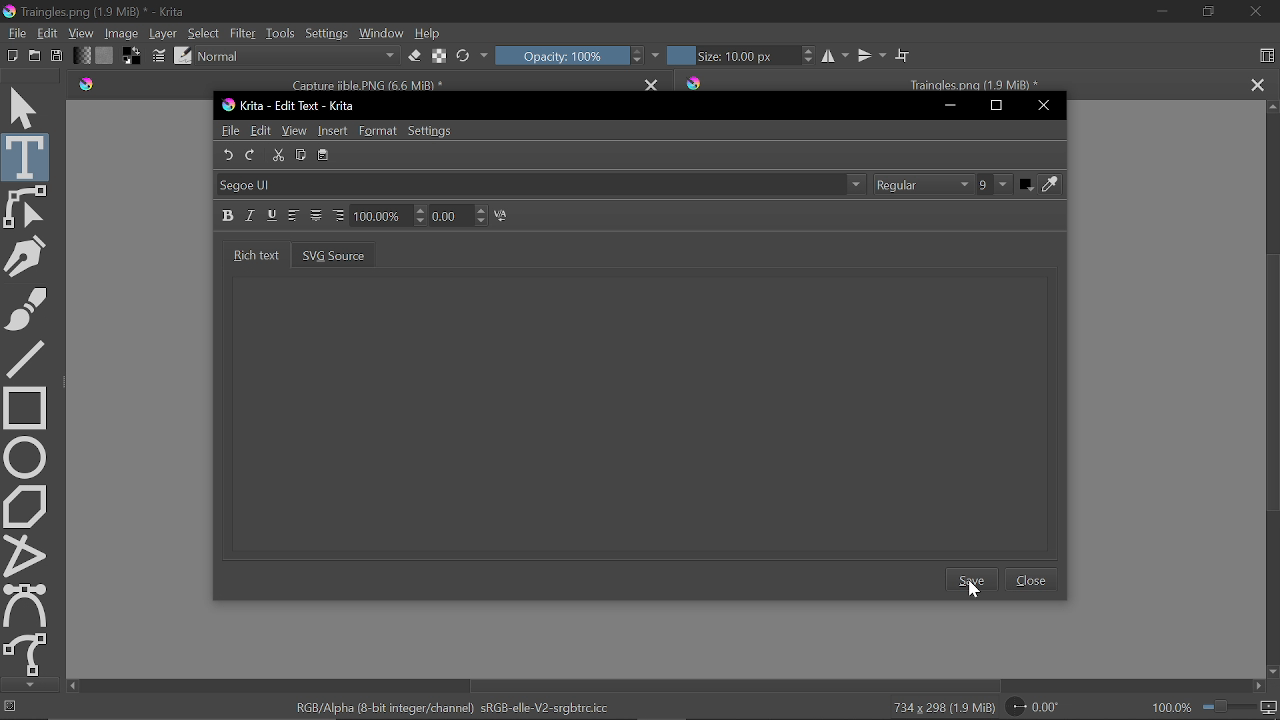  What do you see at coordinates (34, 56) in the screenshot?
I see `Open document` at bounding box center [34, 56].